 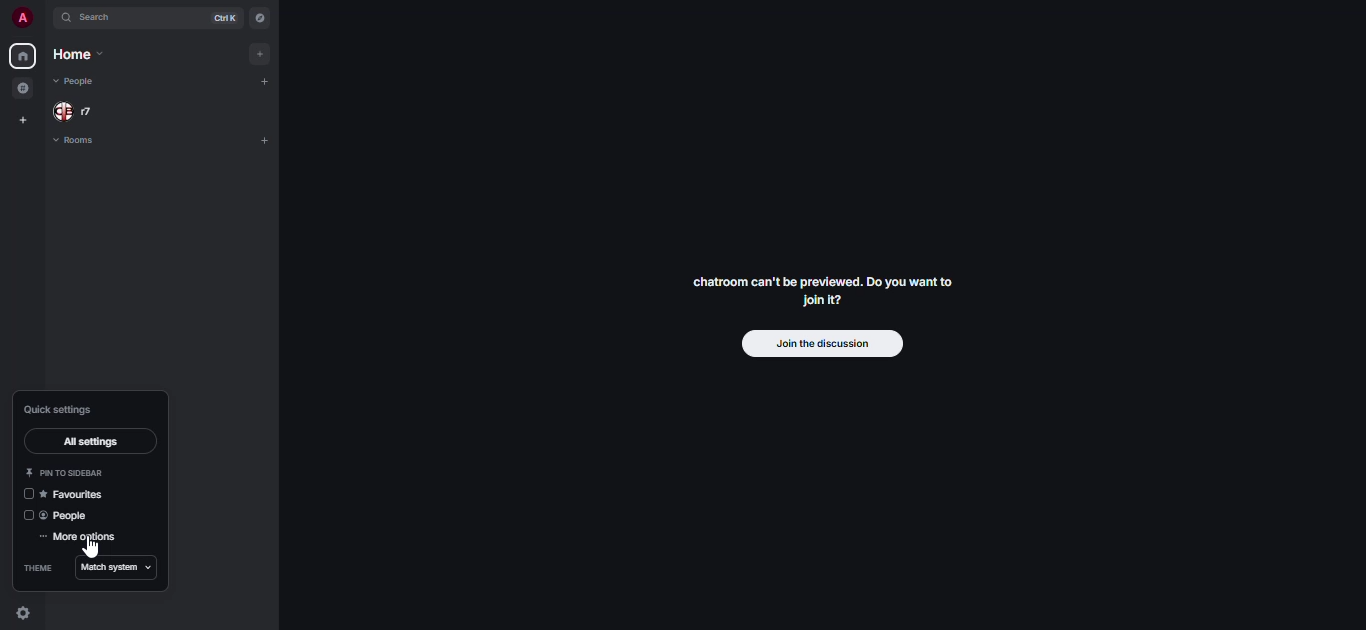 I want to click on add, so click(x=265, y=81).